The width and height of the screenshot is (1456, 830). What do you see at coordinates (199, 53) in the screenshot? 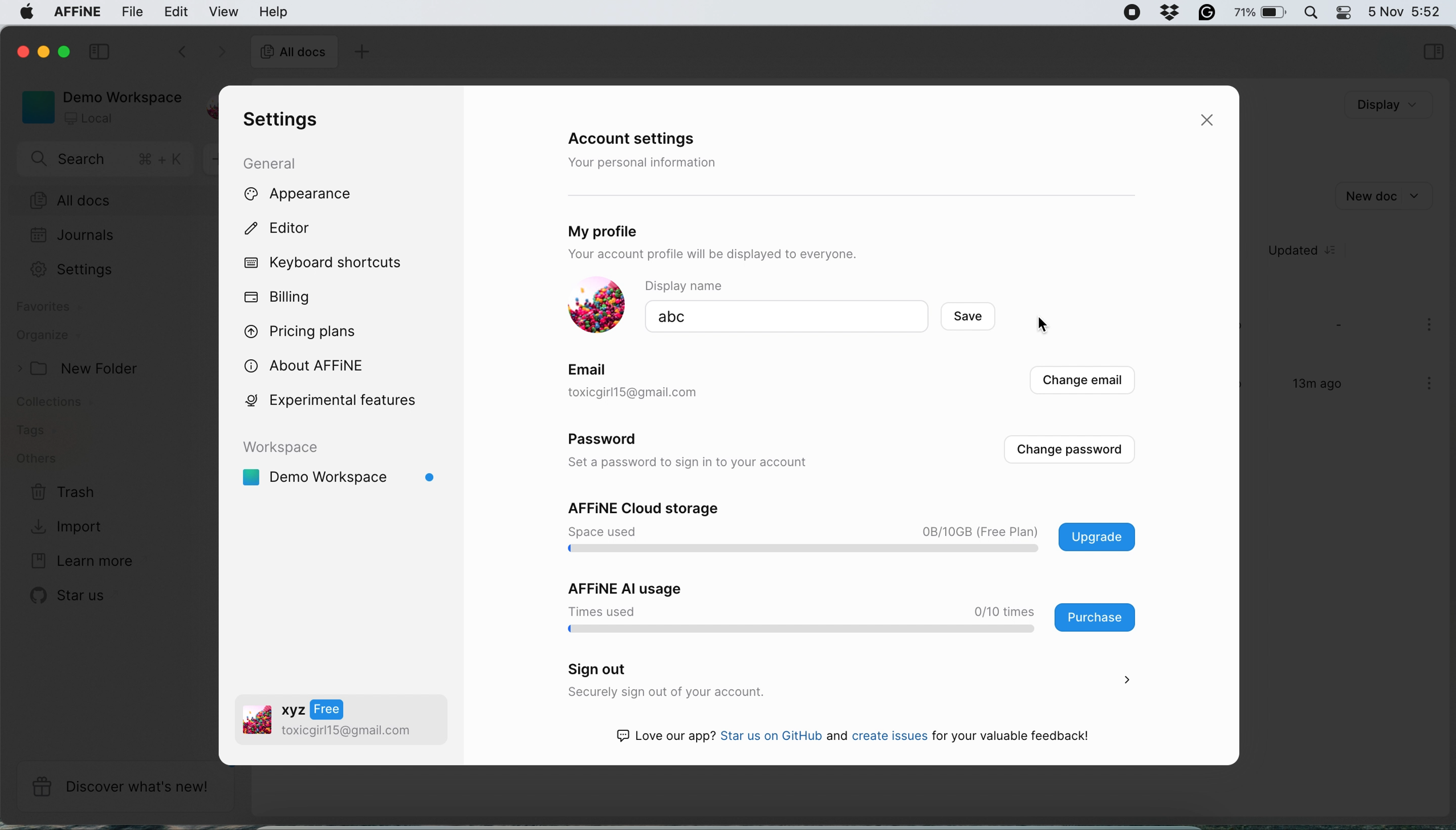
I see `switch between documents` at bounding box center [199, 53].